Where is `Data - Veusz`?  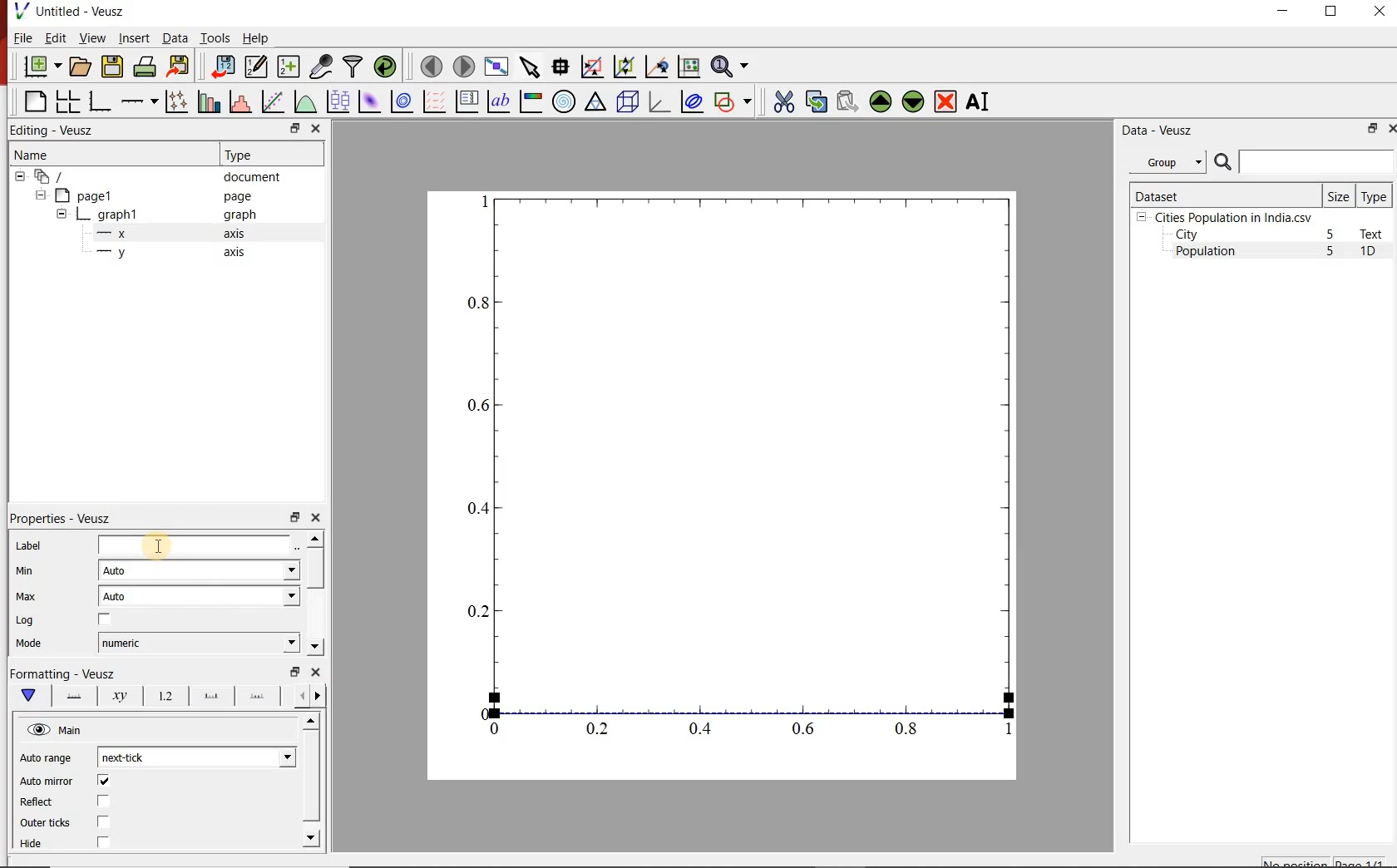
Data - Veusz is located at coordinates (1154, 130).